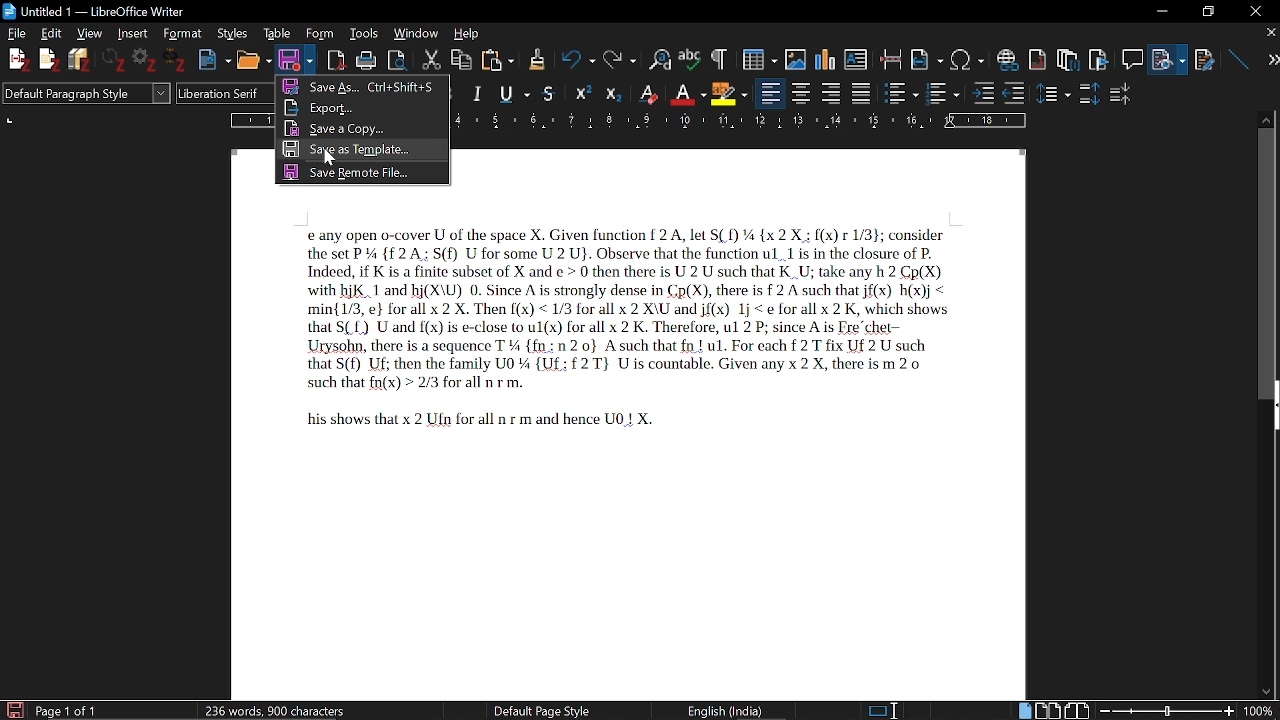 Image resolution: width=1280 pixels, height=720 pixels. What do you see at coordinates (463, 58) in the screenshot?
I see `Copy` at bounding box center [463, 58].